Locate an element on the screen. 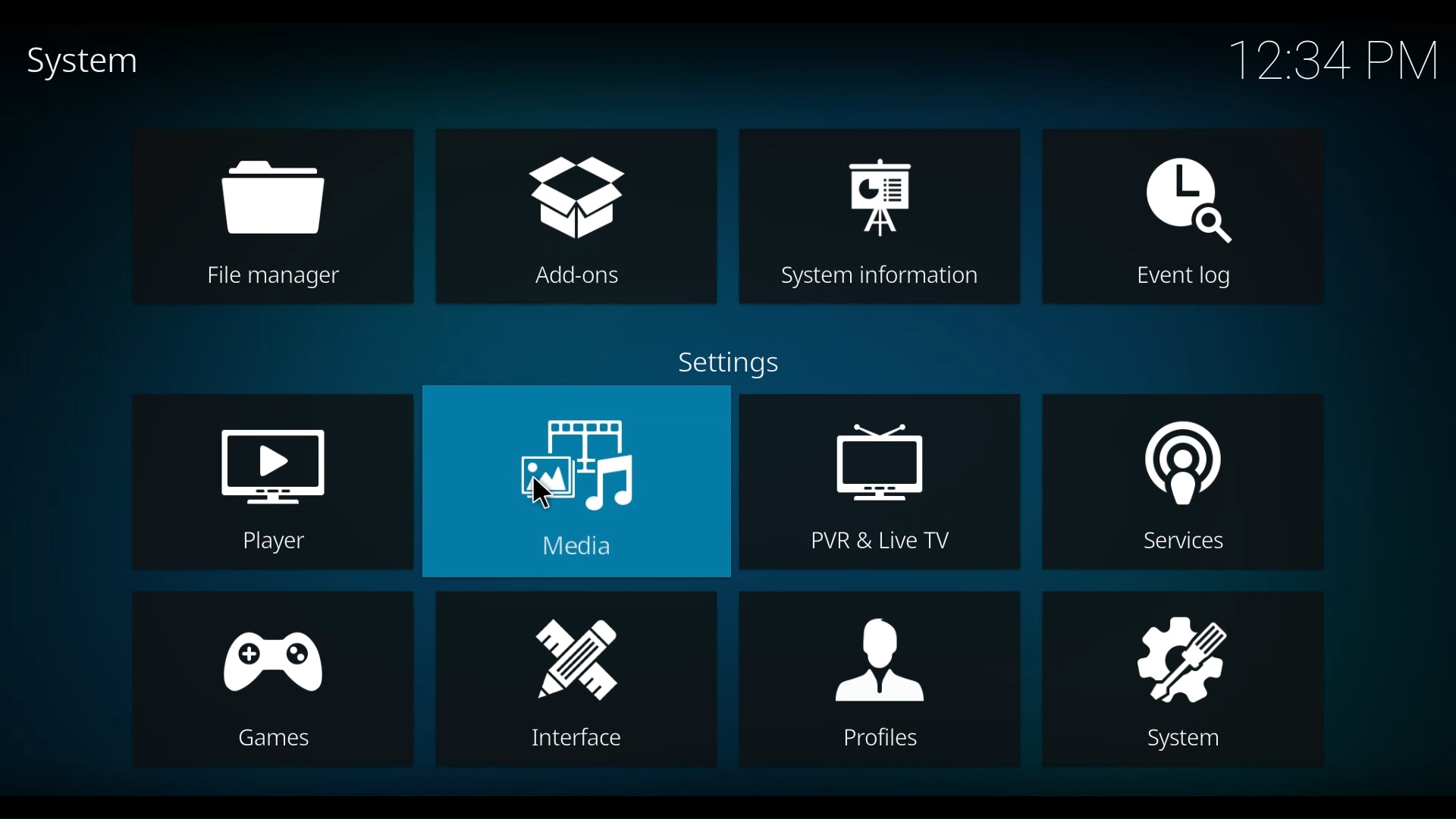 This screenshot has width=1456, height=819. Media is located at coordinates (575, 481).